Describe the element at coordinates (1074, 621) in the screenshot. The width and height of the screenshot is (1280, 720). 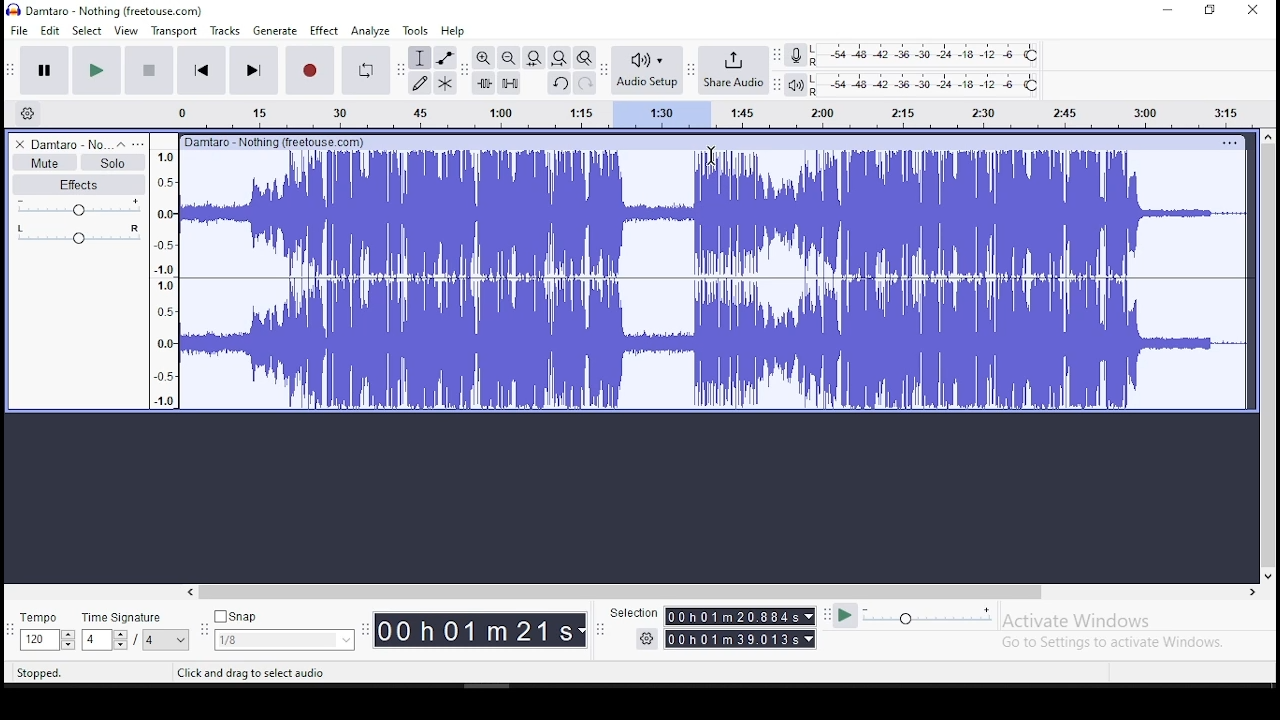
I see `Activate windows` at that location.